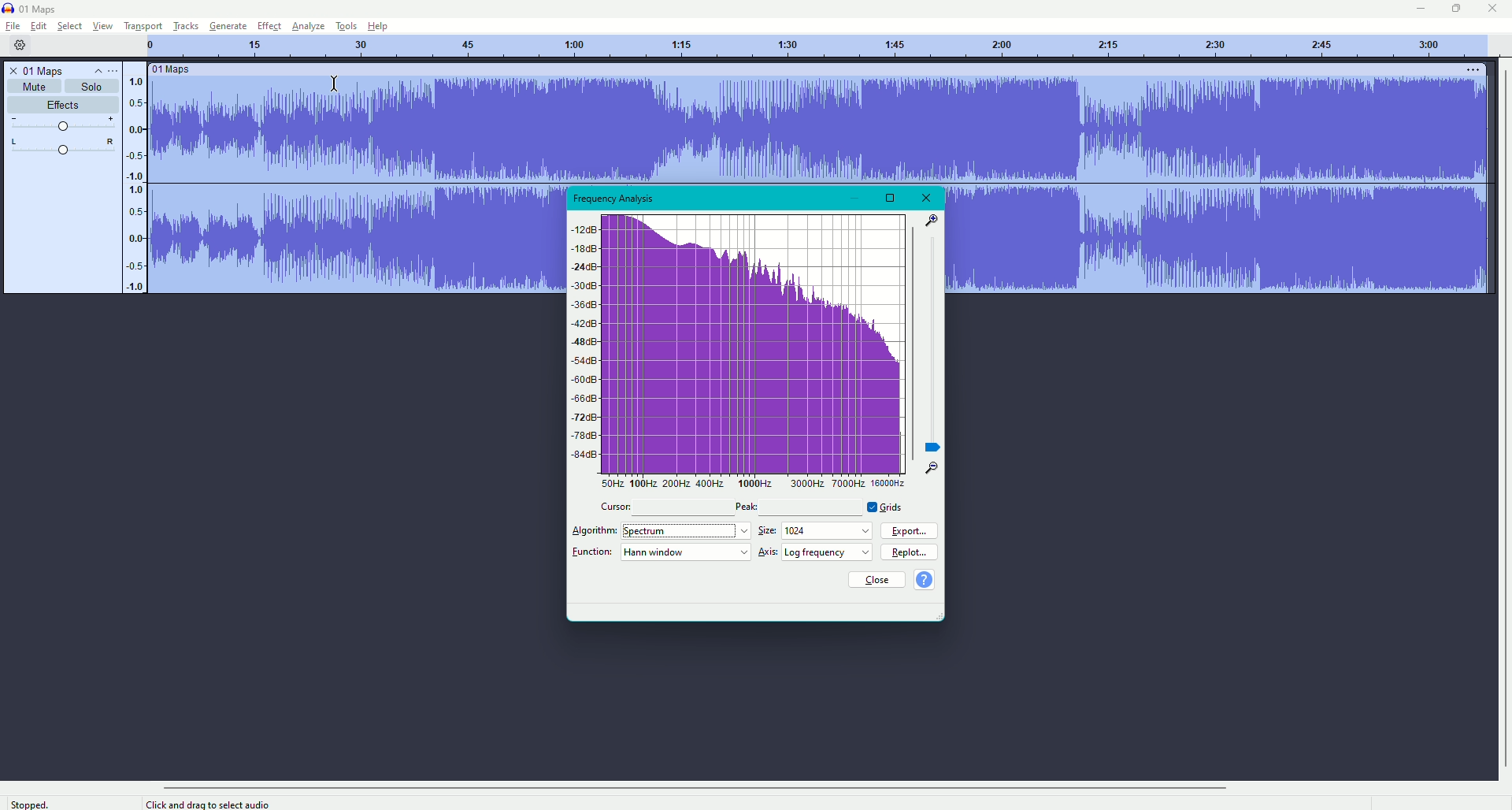  I want to click on Transport, so click(140, 25).